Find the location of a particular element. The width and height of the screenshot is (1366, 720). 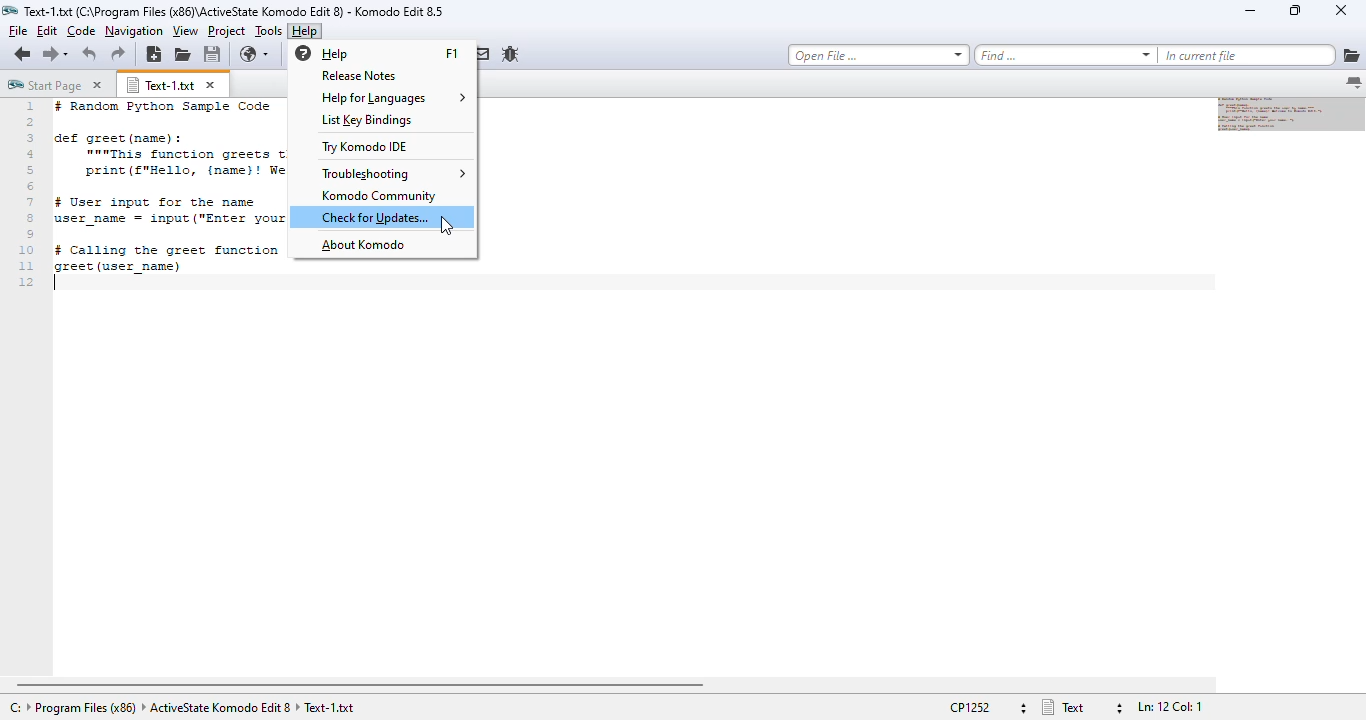

horizontal scroll bar is located at coordinates (361, 685).